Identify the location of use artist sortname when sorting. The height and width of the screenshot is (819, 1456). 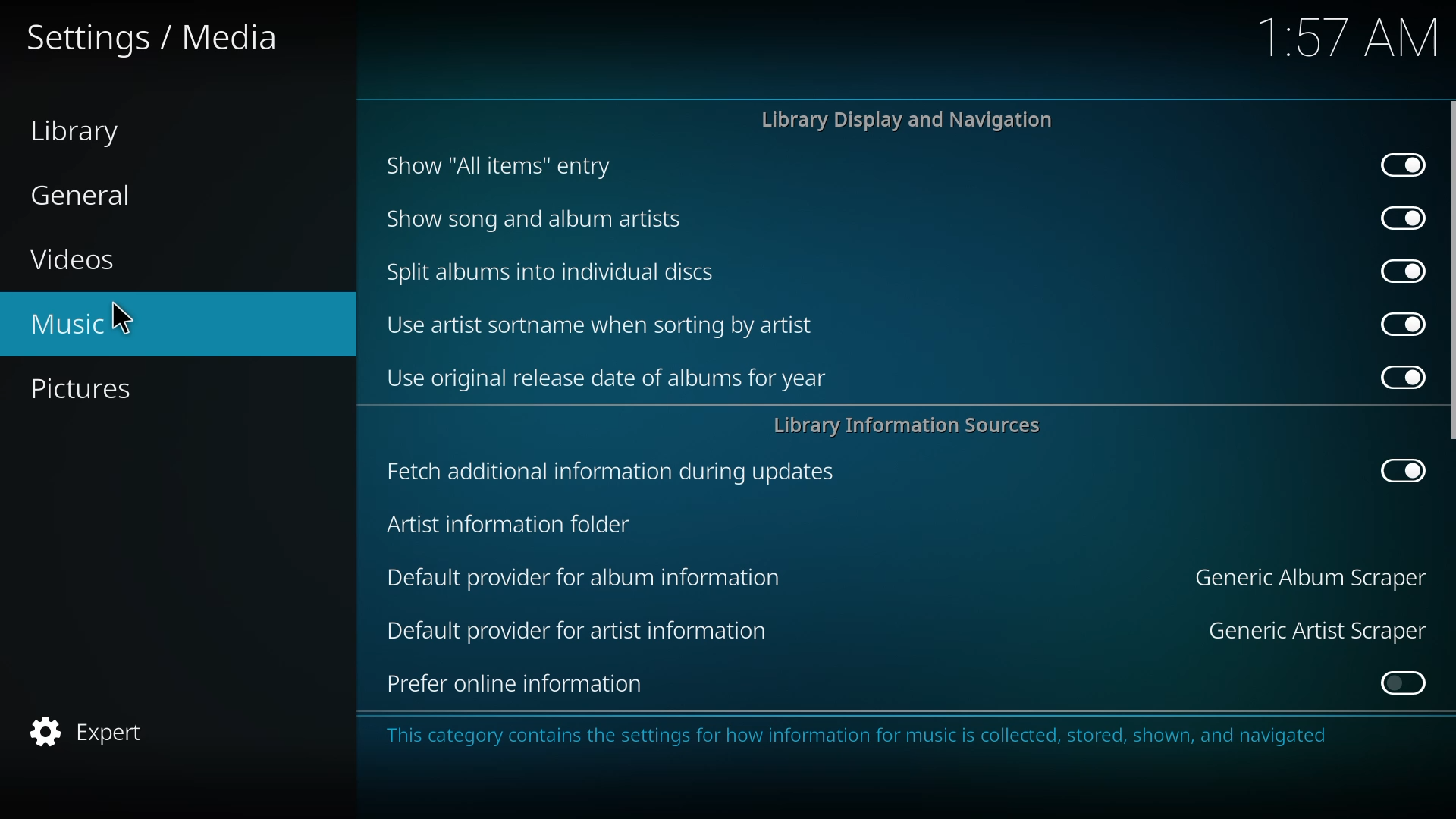
(604, 325).